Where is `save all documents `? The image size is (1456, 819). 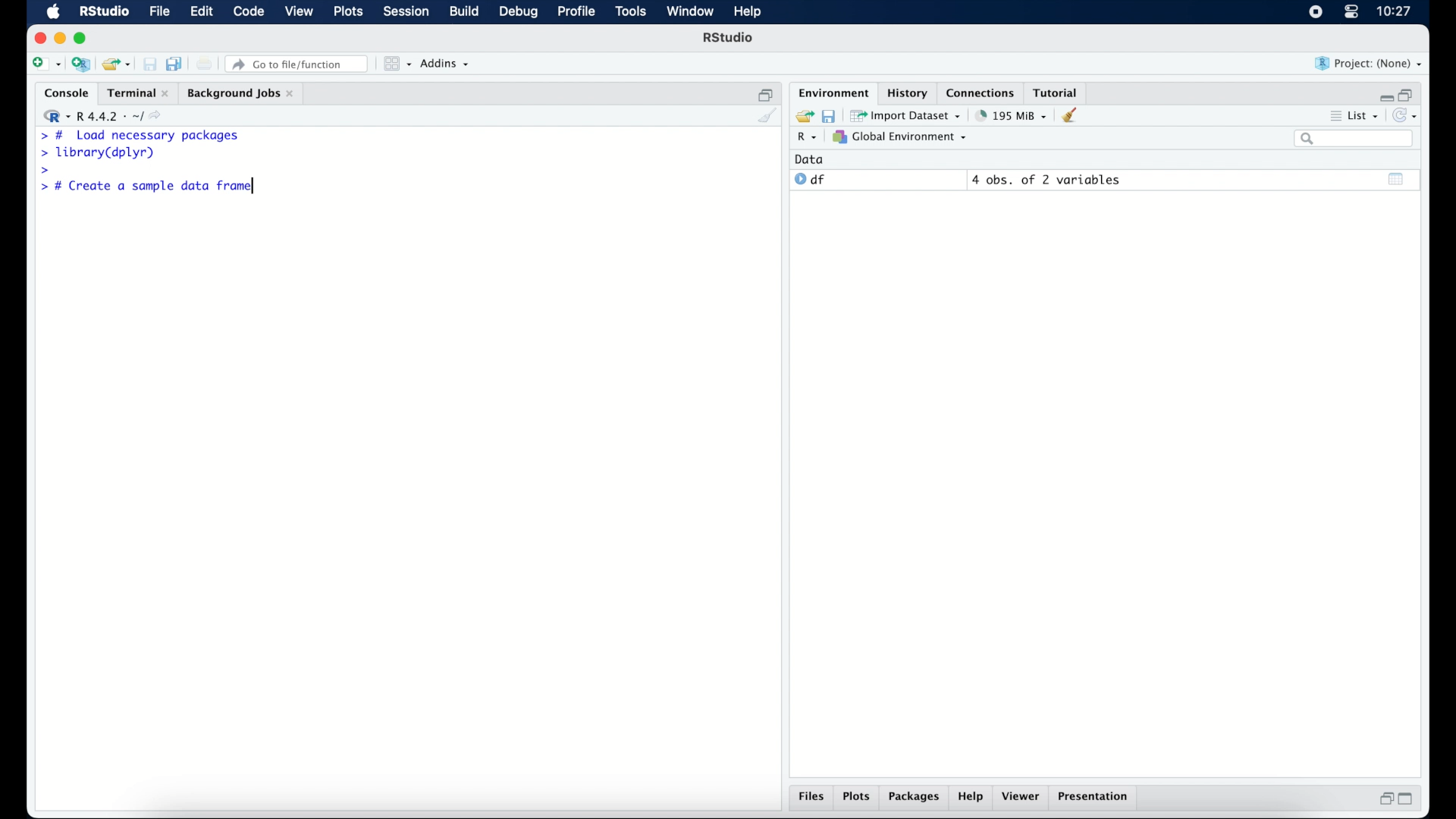
save all documents  is located at coordinates (176, 63).